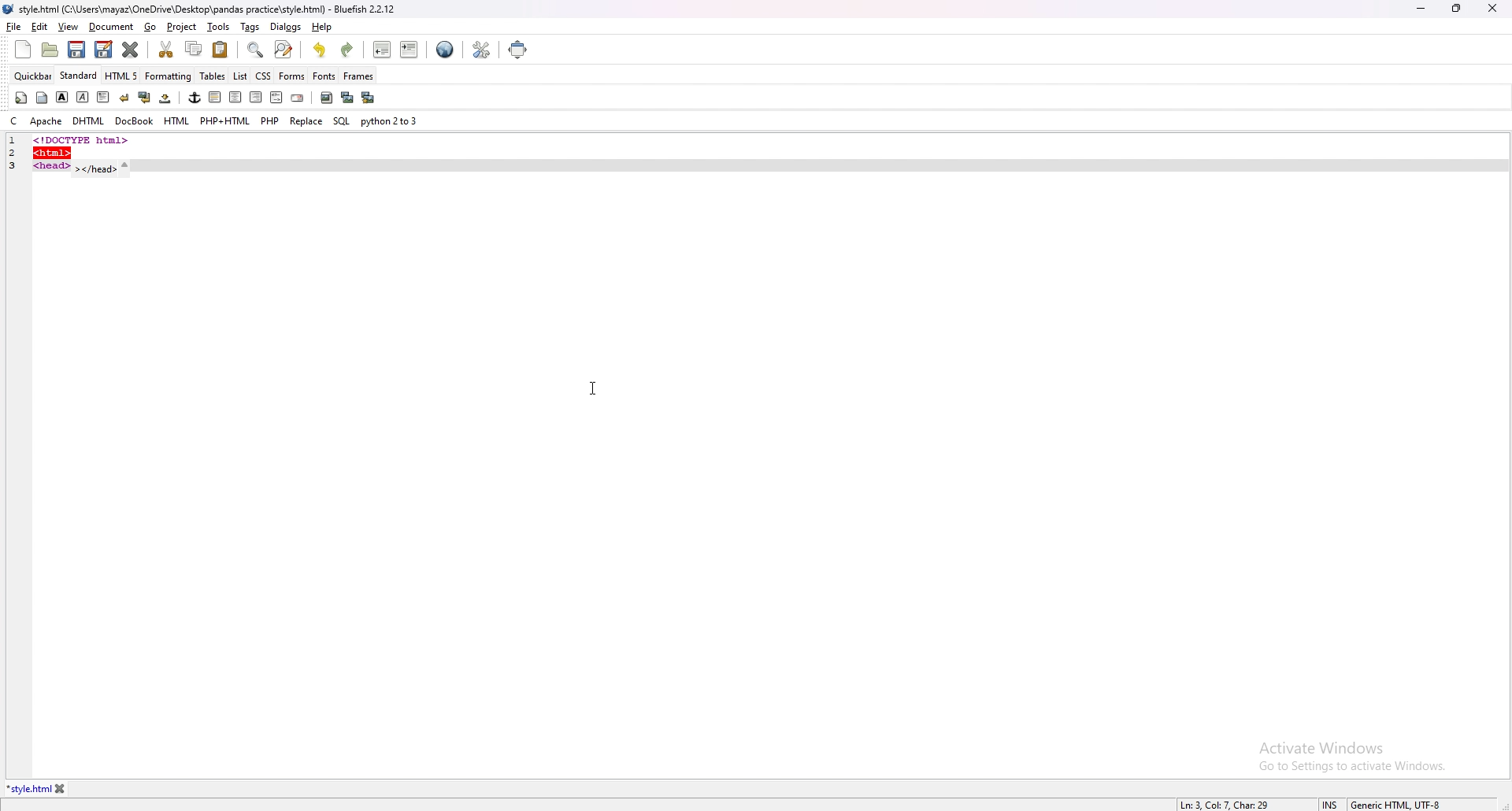 The height and width of the screenshot is (811, 1512). What do you see at coordinates (83, 96) in the screenshot?
I see `italic` at bounding box center [83, 96].